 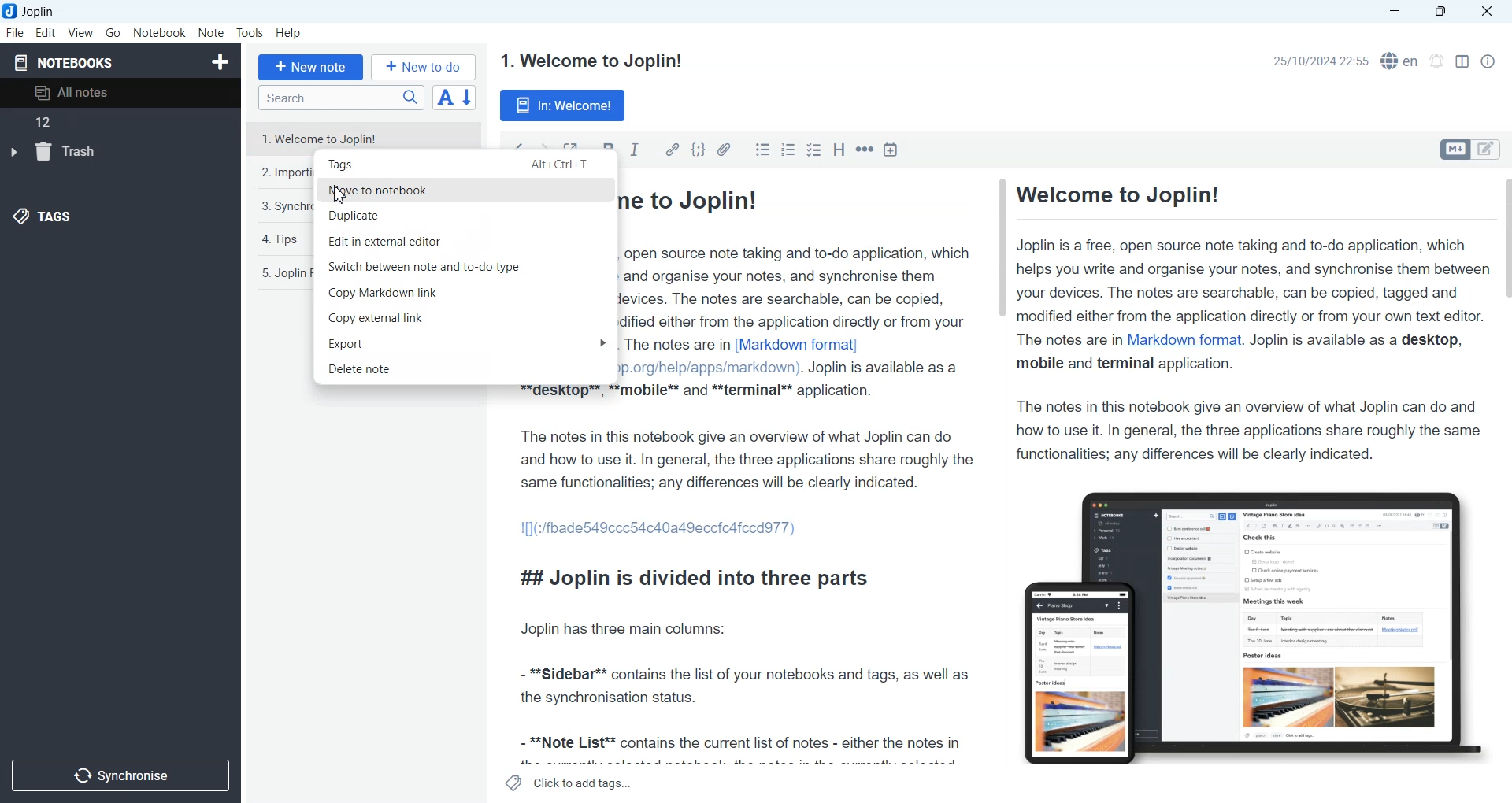 What do you see at coordinates (1489, 150) in the screenshot?
I see `Toggle editors` at bounding box center [1489, 150].